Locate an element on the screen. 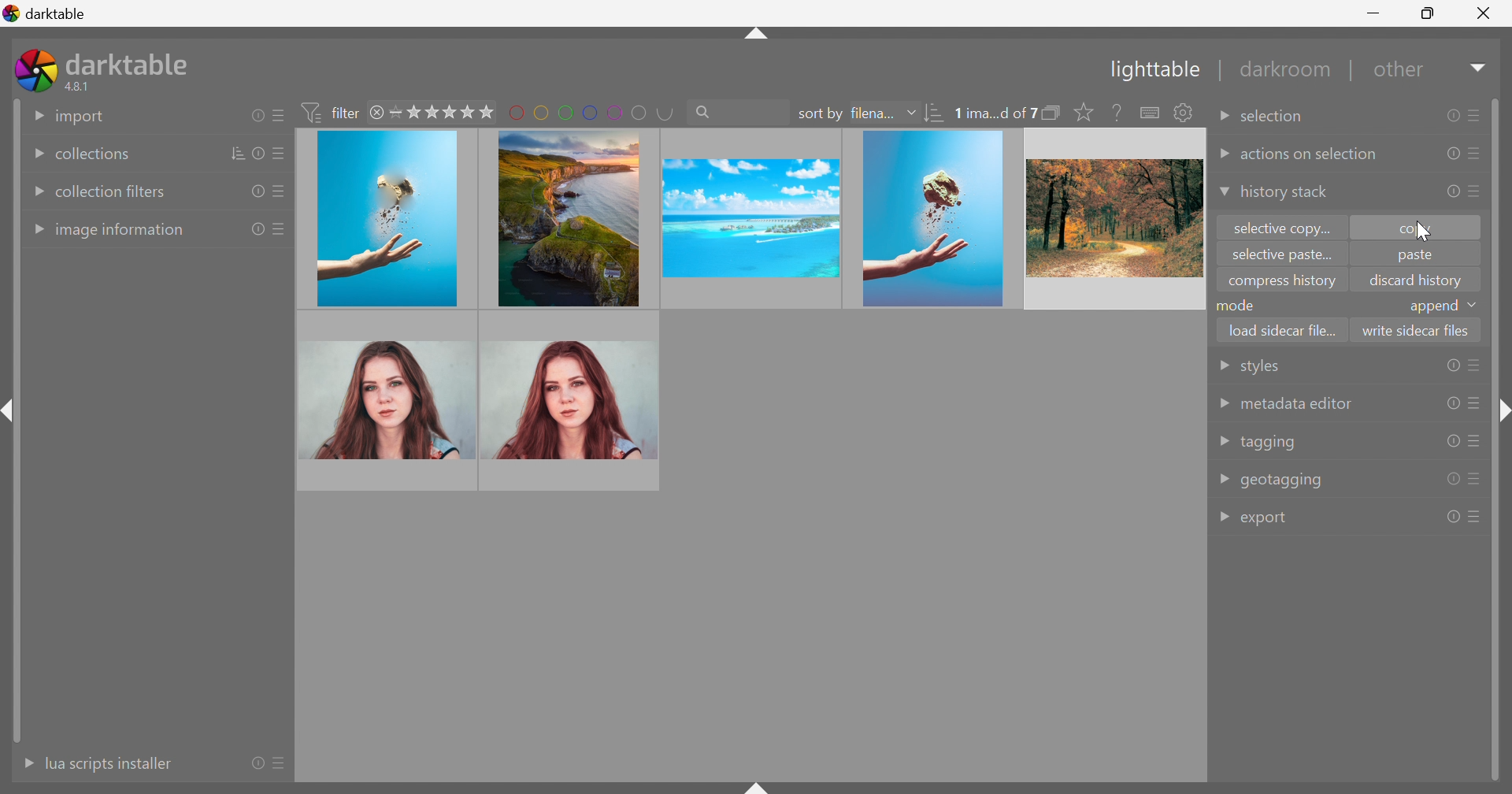 The image size is (1512, 794). presets is located at coordinates (1478, 190).